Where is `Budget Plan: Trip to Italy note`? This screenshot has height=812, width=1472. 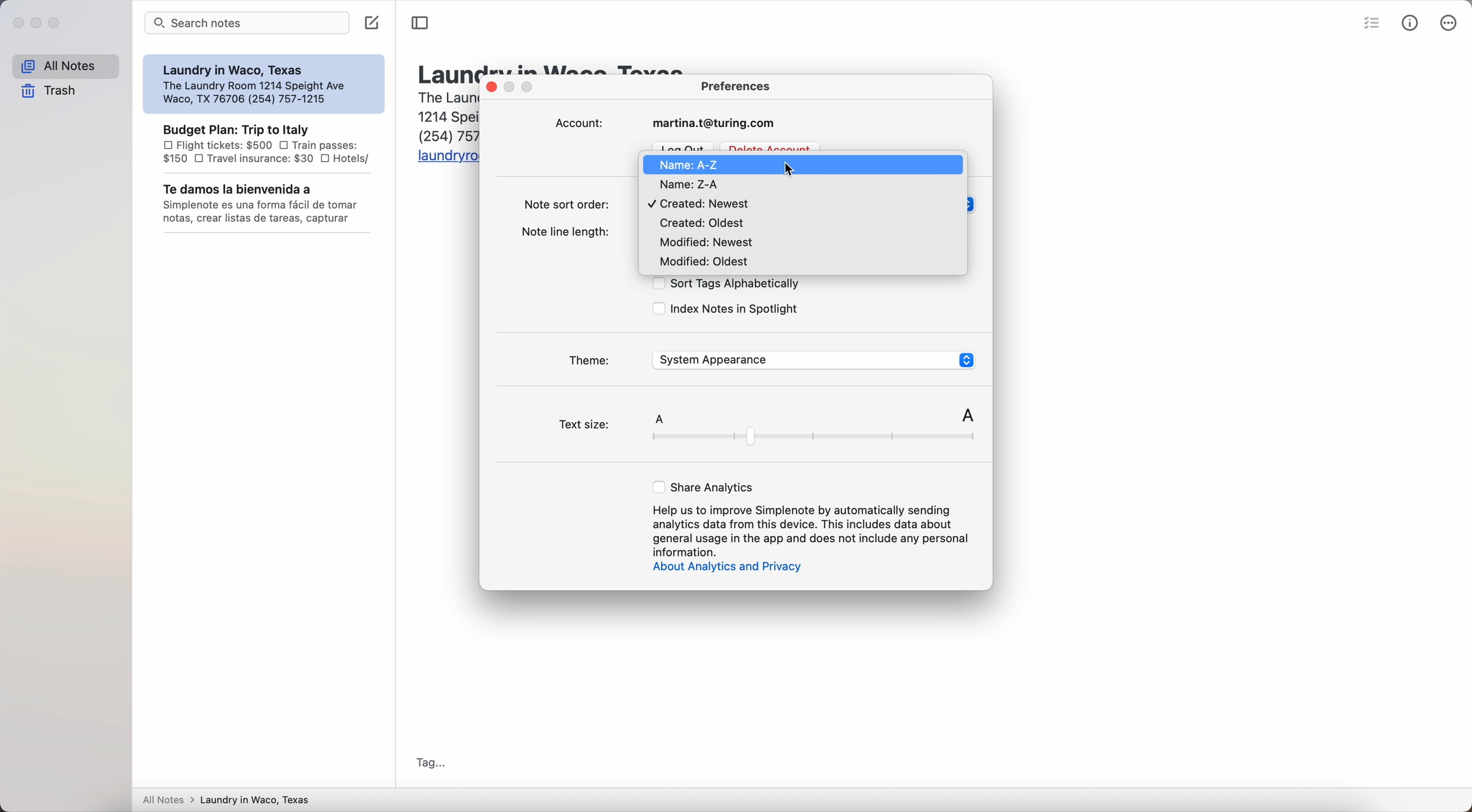 Budget Plan: Trip to Italy note is located at coordinates (265, 143).